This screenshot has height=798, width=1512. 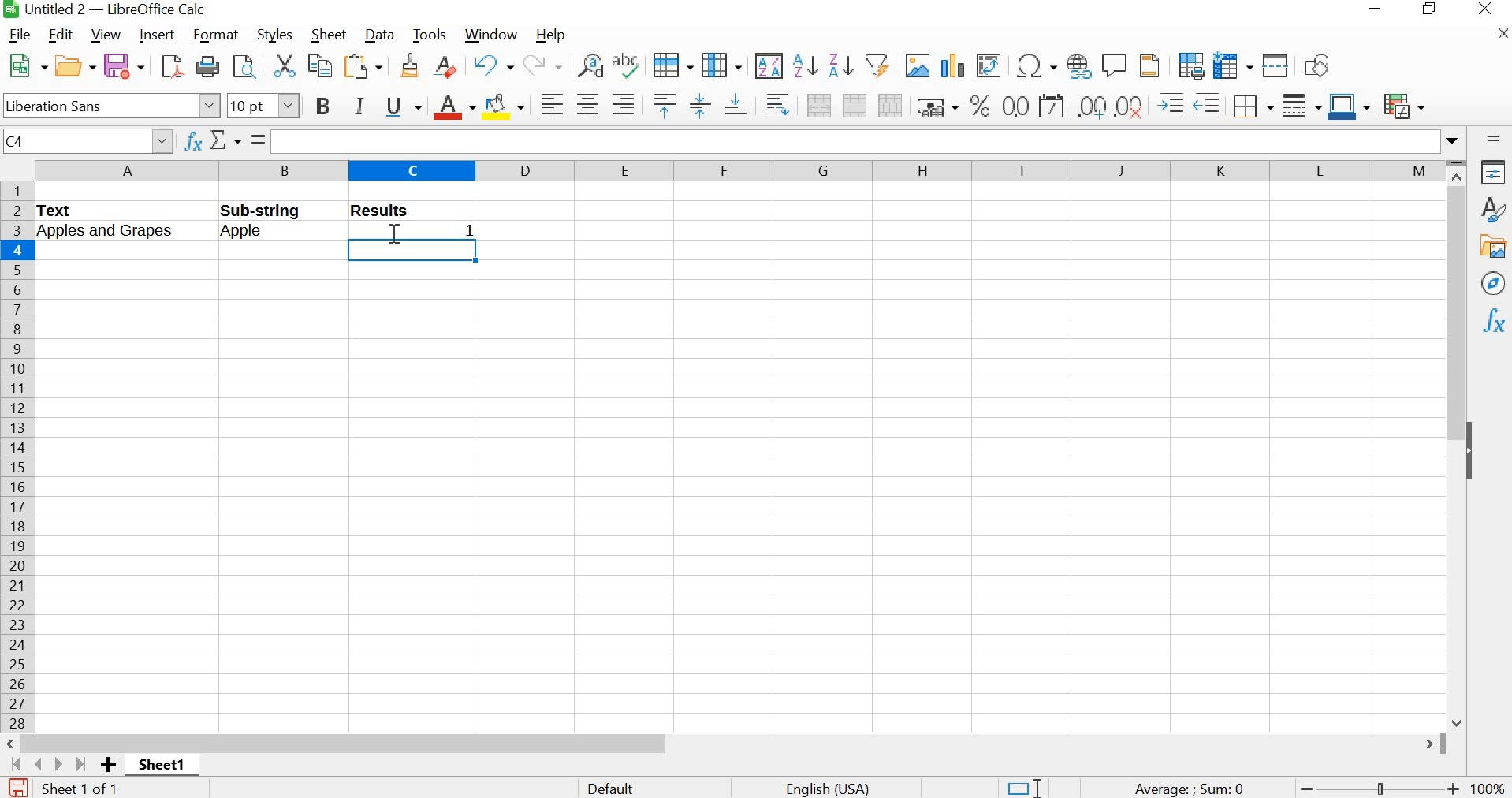 I want to click on unmerge cells, so click(x=891, y=105).